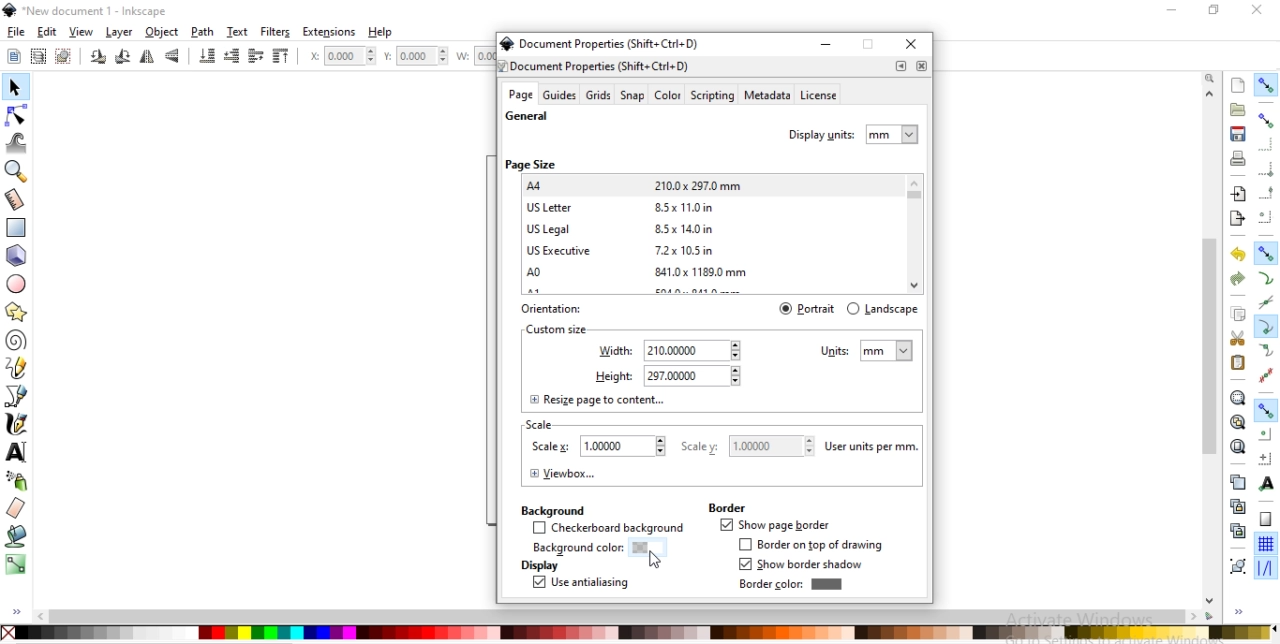 The height and width of the screenshot is (644, 1280). Describe the element at coordinates (774, 526) in the screenshot. I see `show page border` at that location.